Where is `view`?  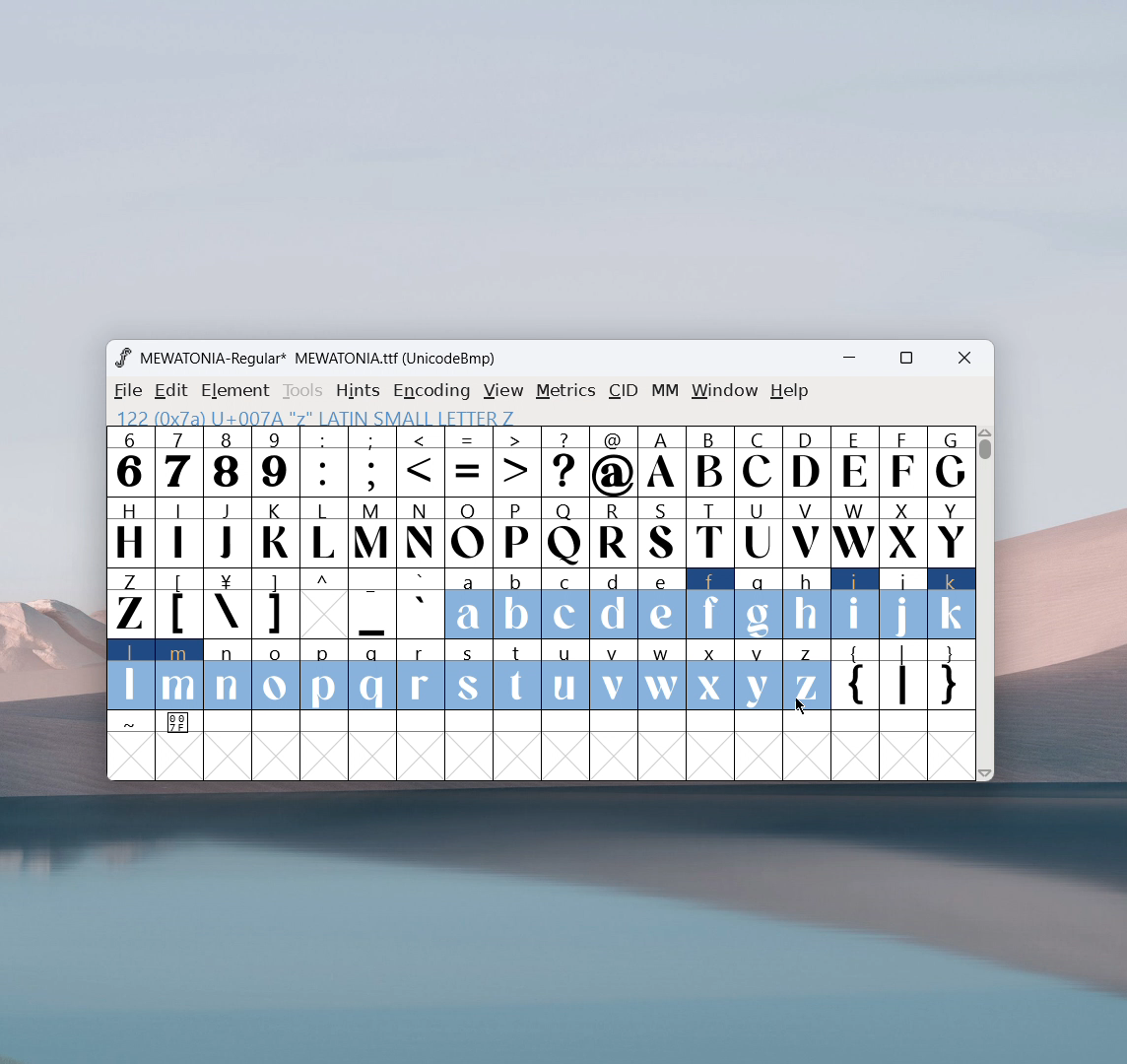
view is located at coordinates (503, 391).